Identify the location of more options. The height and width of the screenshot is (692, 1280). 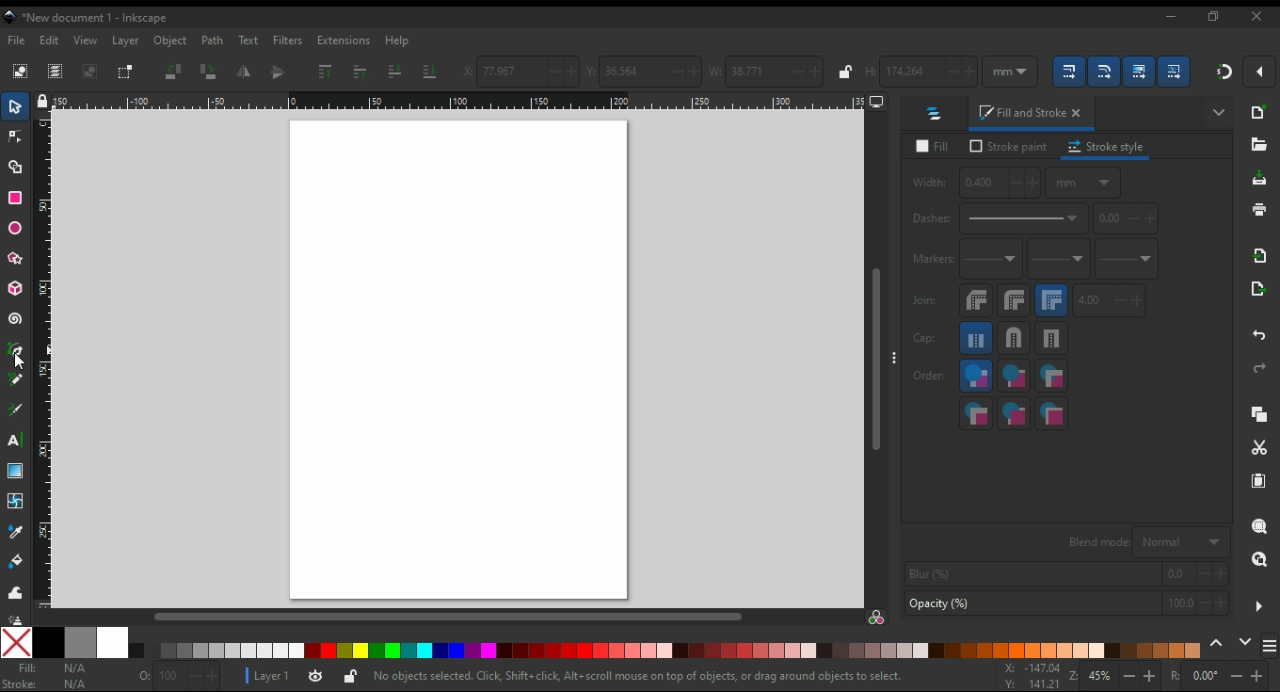
(1259, 605).